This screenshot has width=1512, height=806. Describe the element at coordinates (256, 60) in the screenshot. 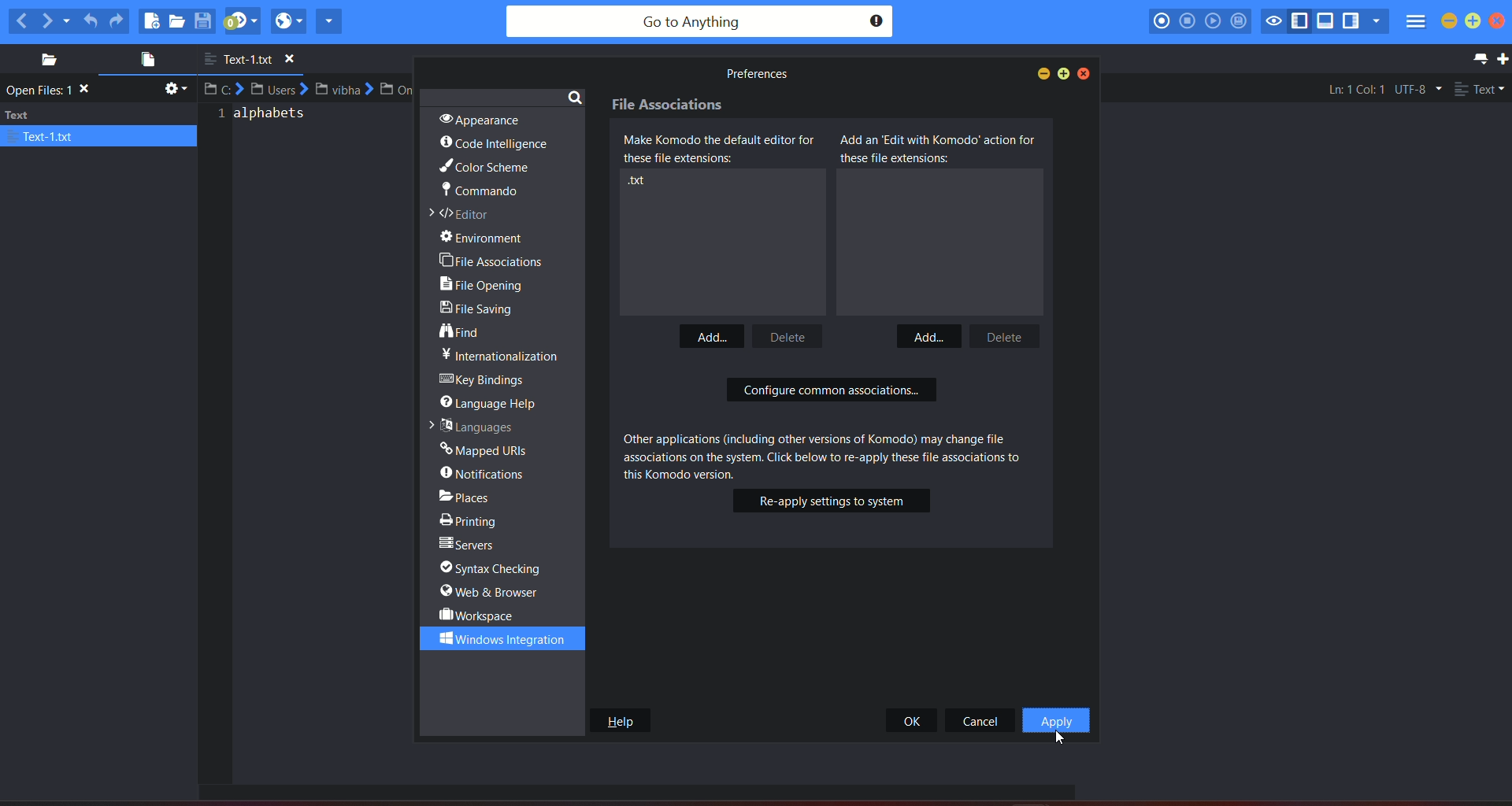

I see `file name` at that location.